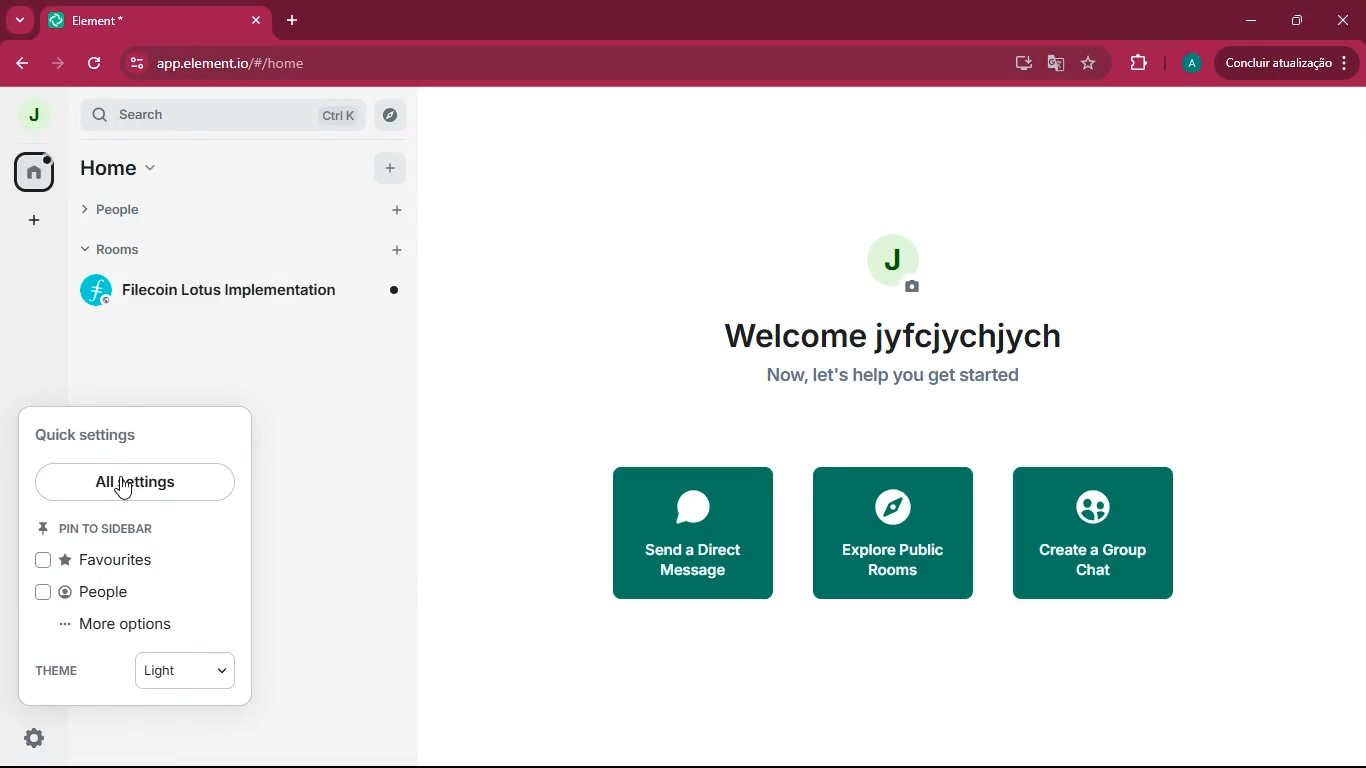 The height and width of the screenshot is (768, 1366). Describe the element at coordinates (451, 64) in the screenshot. I see `app.elementio/#/home` at that location.